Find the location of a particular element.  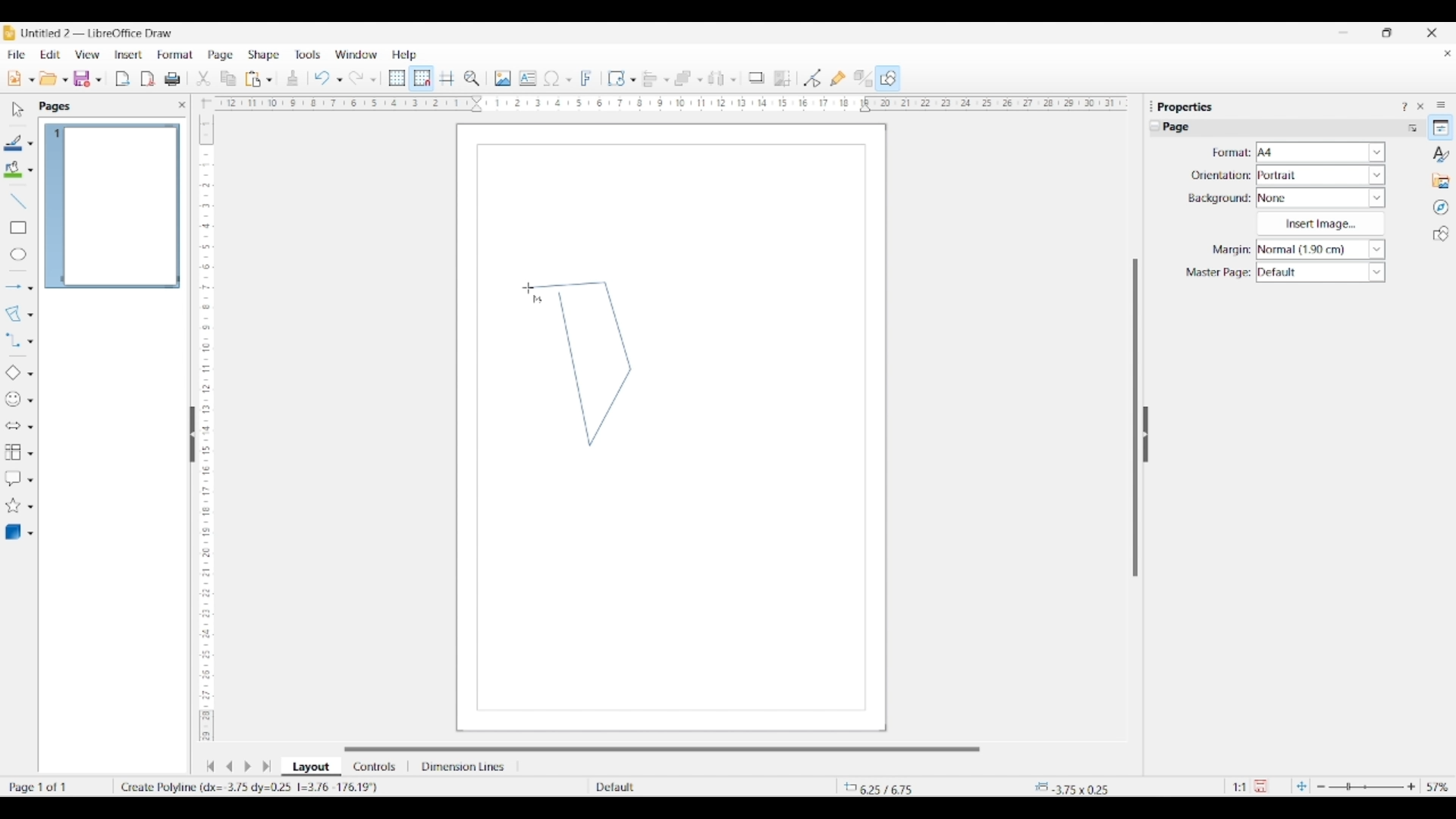

Helplines while moving is located at coordinates (447, 77).